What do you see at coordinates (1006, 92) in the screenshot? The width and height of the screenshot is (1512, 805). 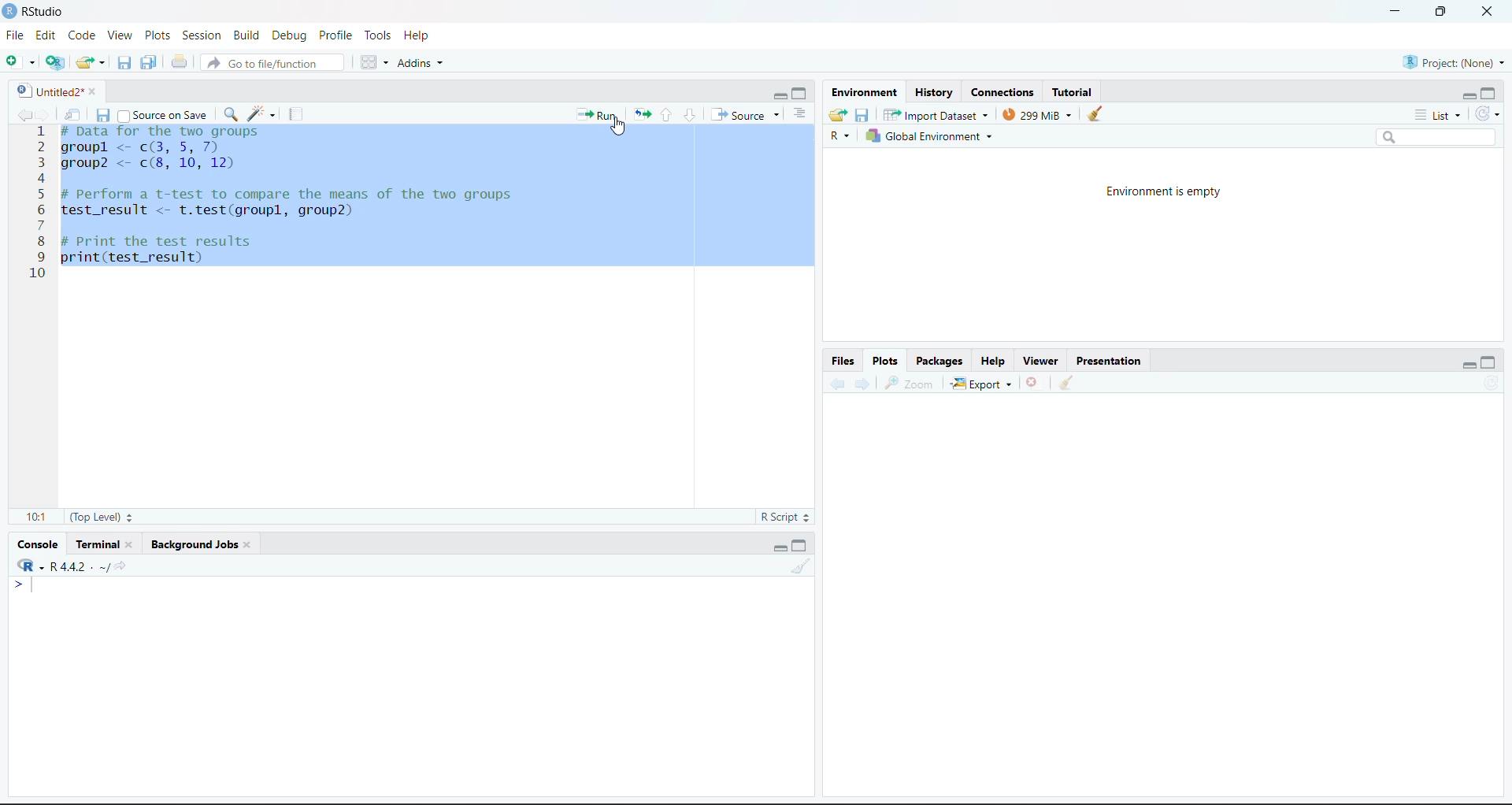 I see `Connections` at bounding box center [1006, 92].